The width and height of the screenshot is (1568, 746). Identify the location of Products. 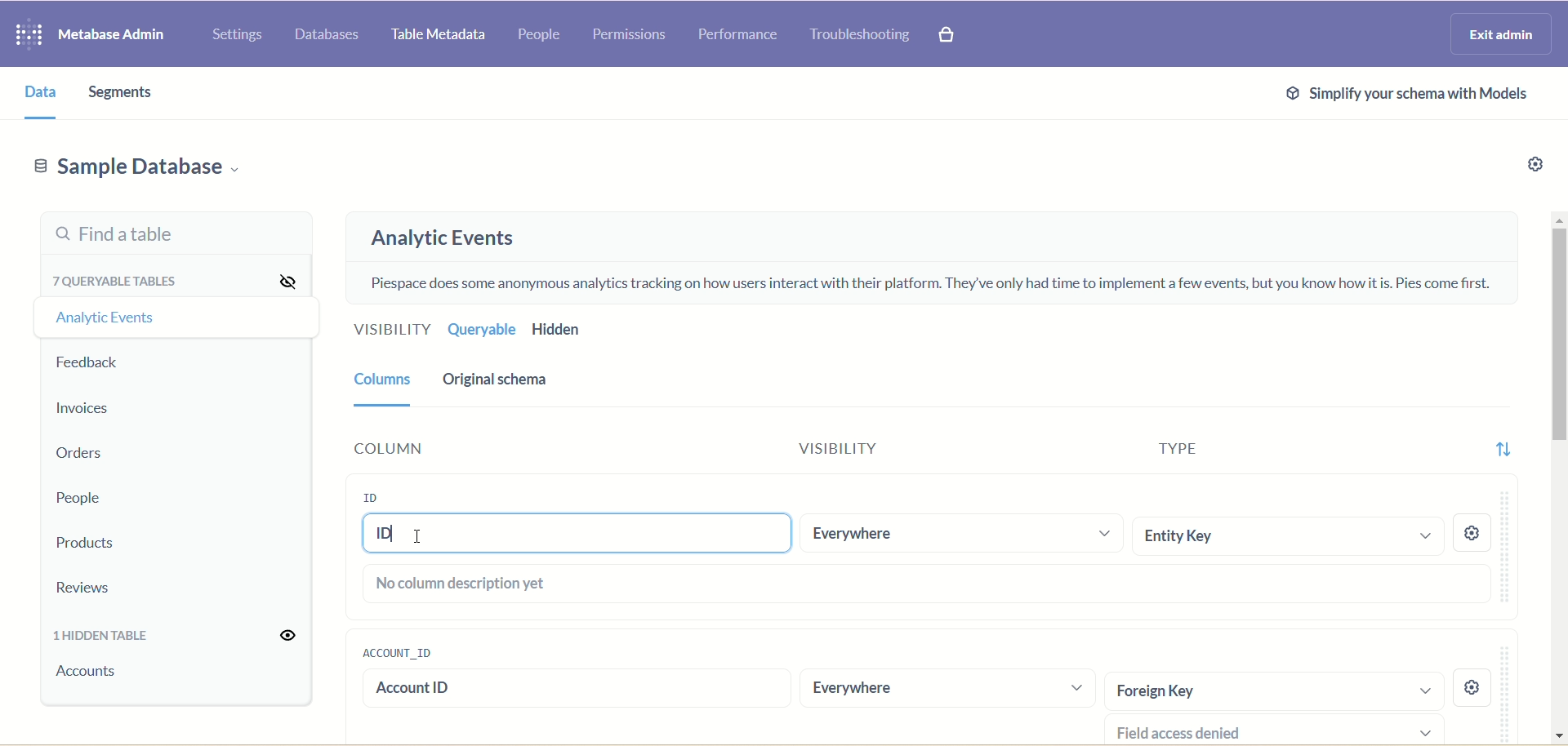
(105, 543).